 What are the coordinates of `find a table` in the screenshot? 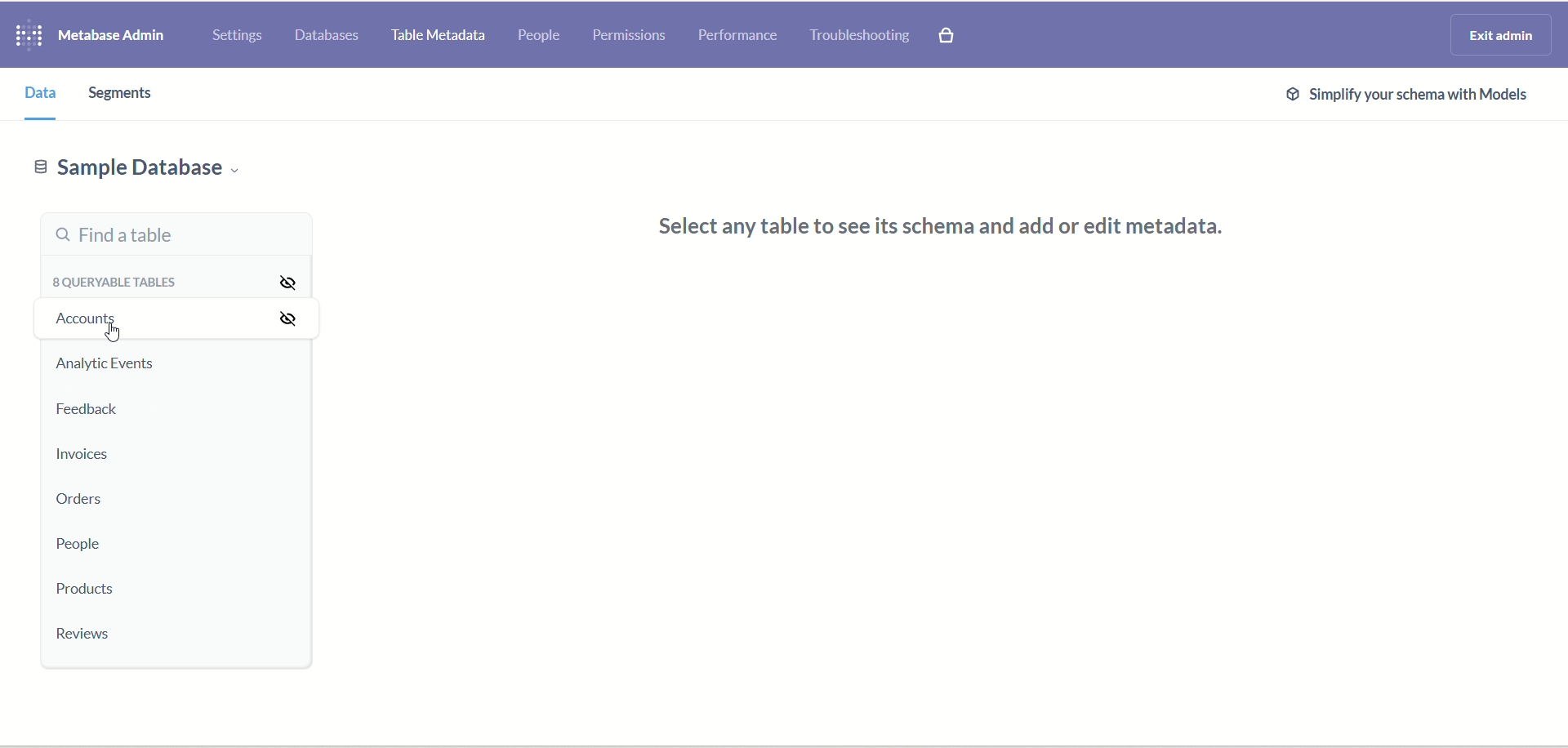 It's located at (167, 238).